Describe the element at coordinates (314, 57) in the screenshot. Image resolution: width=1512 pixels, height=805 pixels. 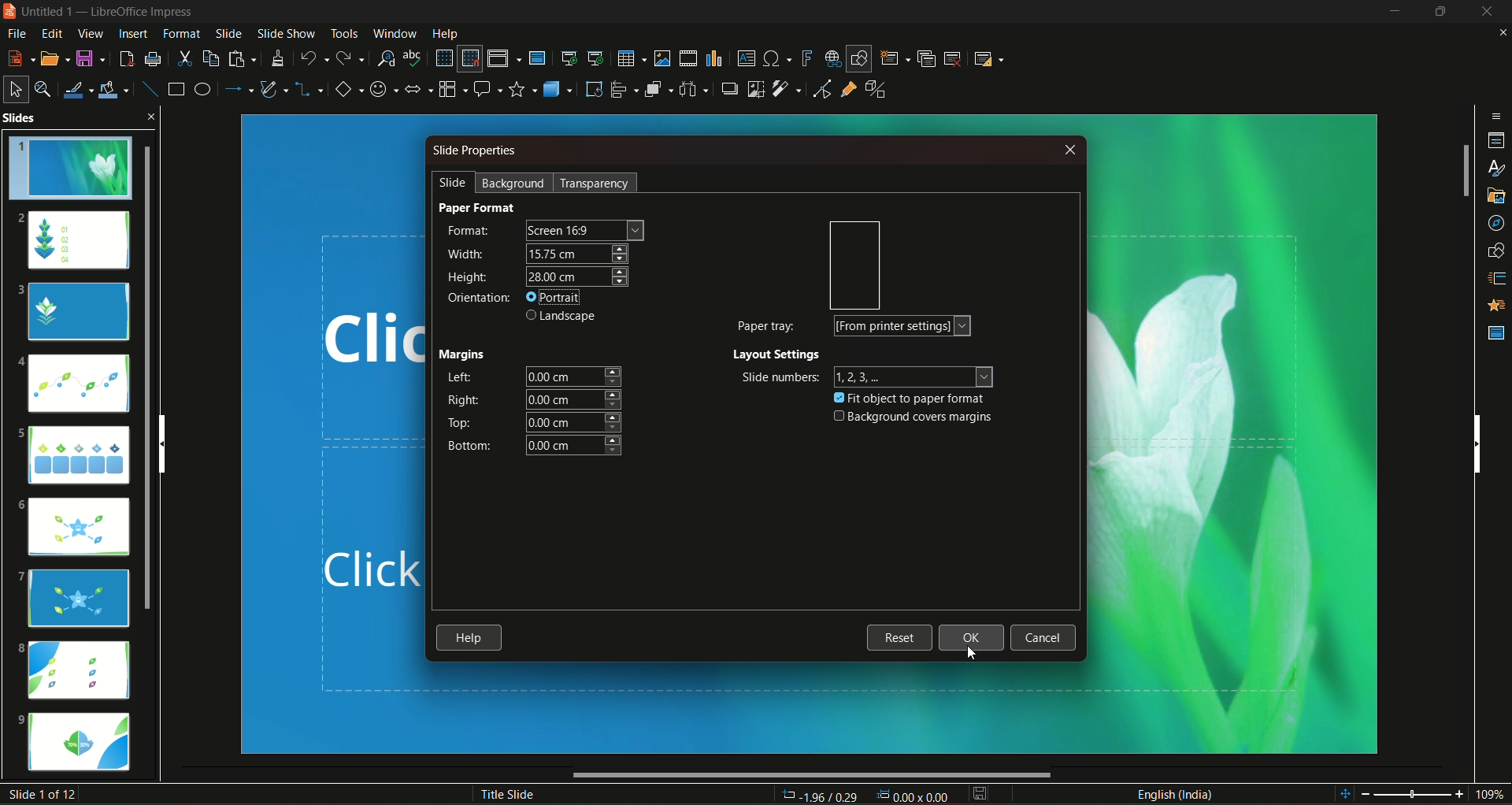
I see `undo` at that location.